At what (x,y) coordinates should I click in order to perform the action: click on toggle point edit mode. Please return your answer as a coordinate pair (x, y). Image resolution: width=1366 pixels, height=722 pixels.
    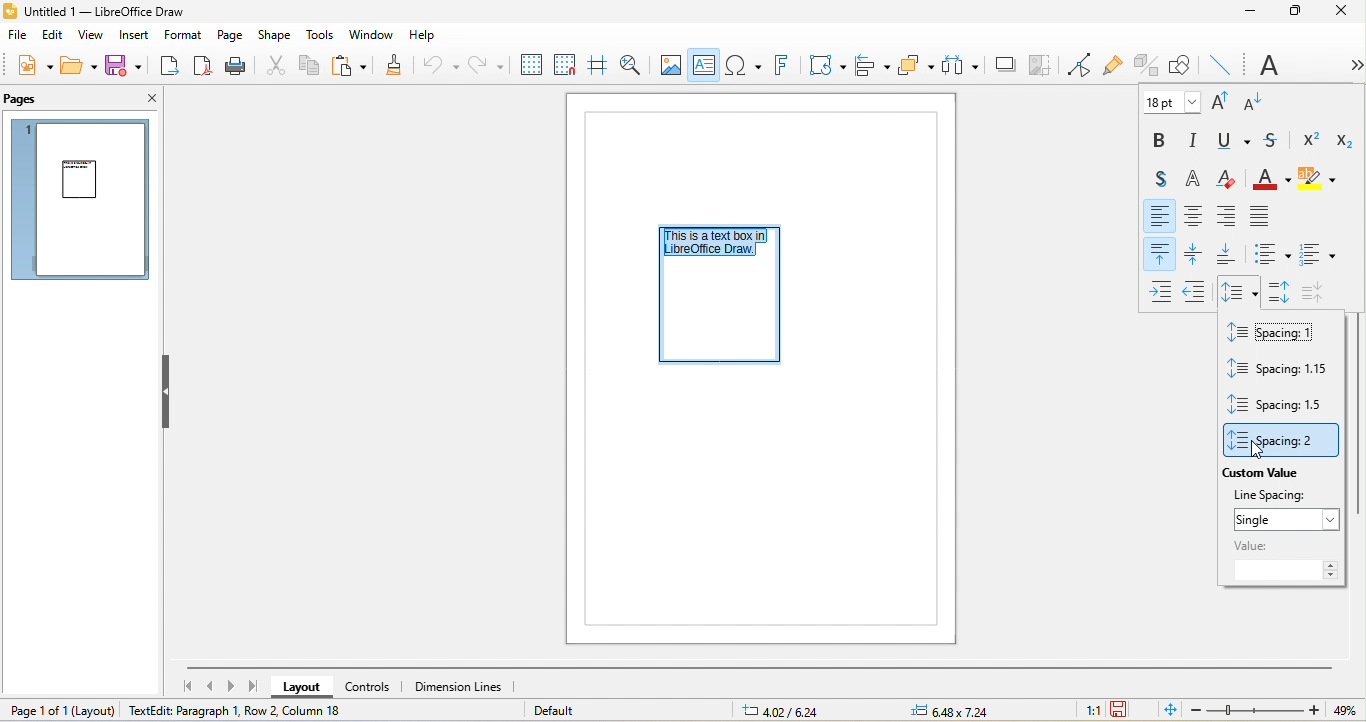
    Looking at the image, I should click on (1077, 63).